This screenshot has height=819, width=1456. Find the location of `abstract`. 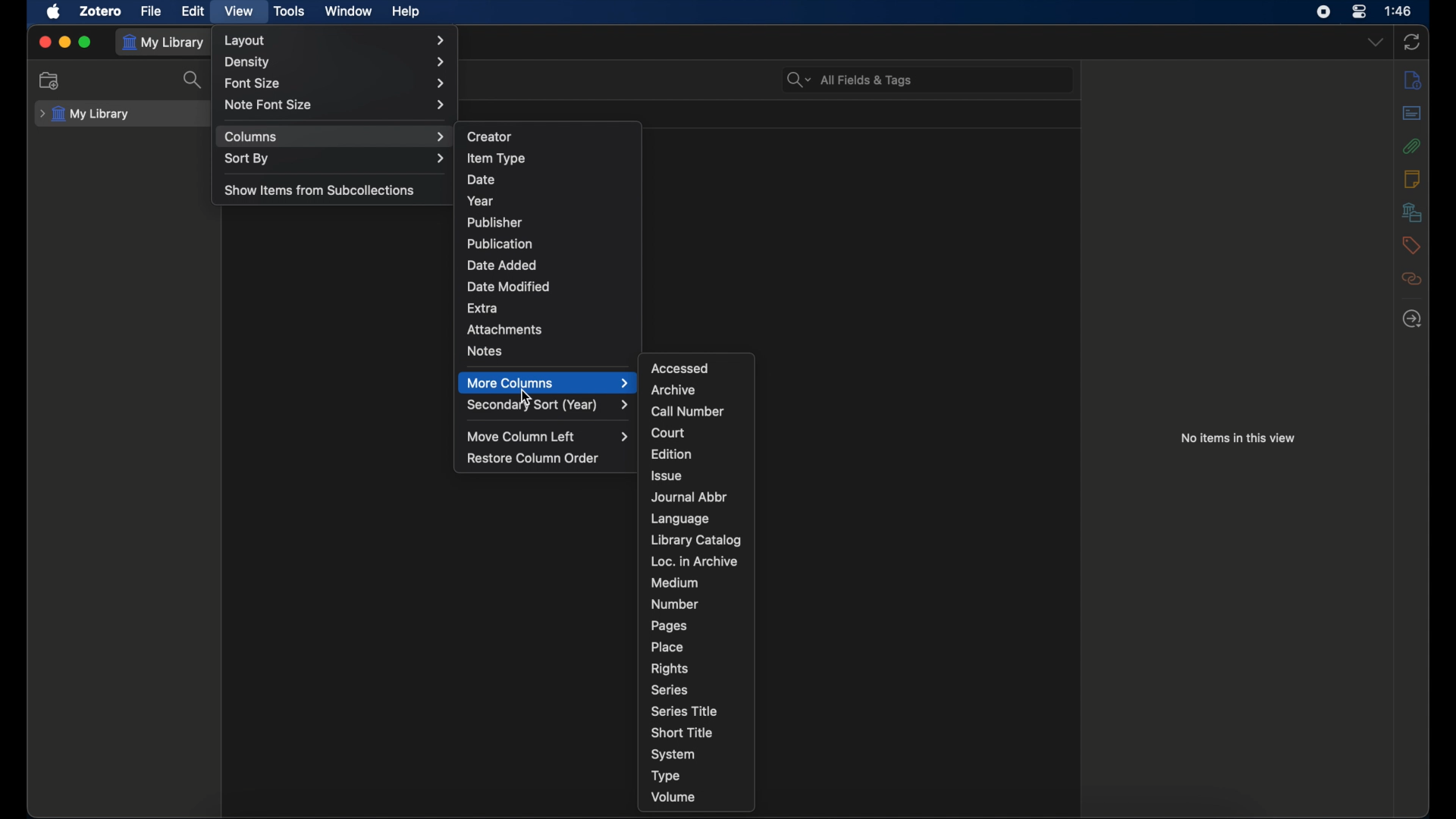

abstract is located at coordinates (1414, 112).